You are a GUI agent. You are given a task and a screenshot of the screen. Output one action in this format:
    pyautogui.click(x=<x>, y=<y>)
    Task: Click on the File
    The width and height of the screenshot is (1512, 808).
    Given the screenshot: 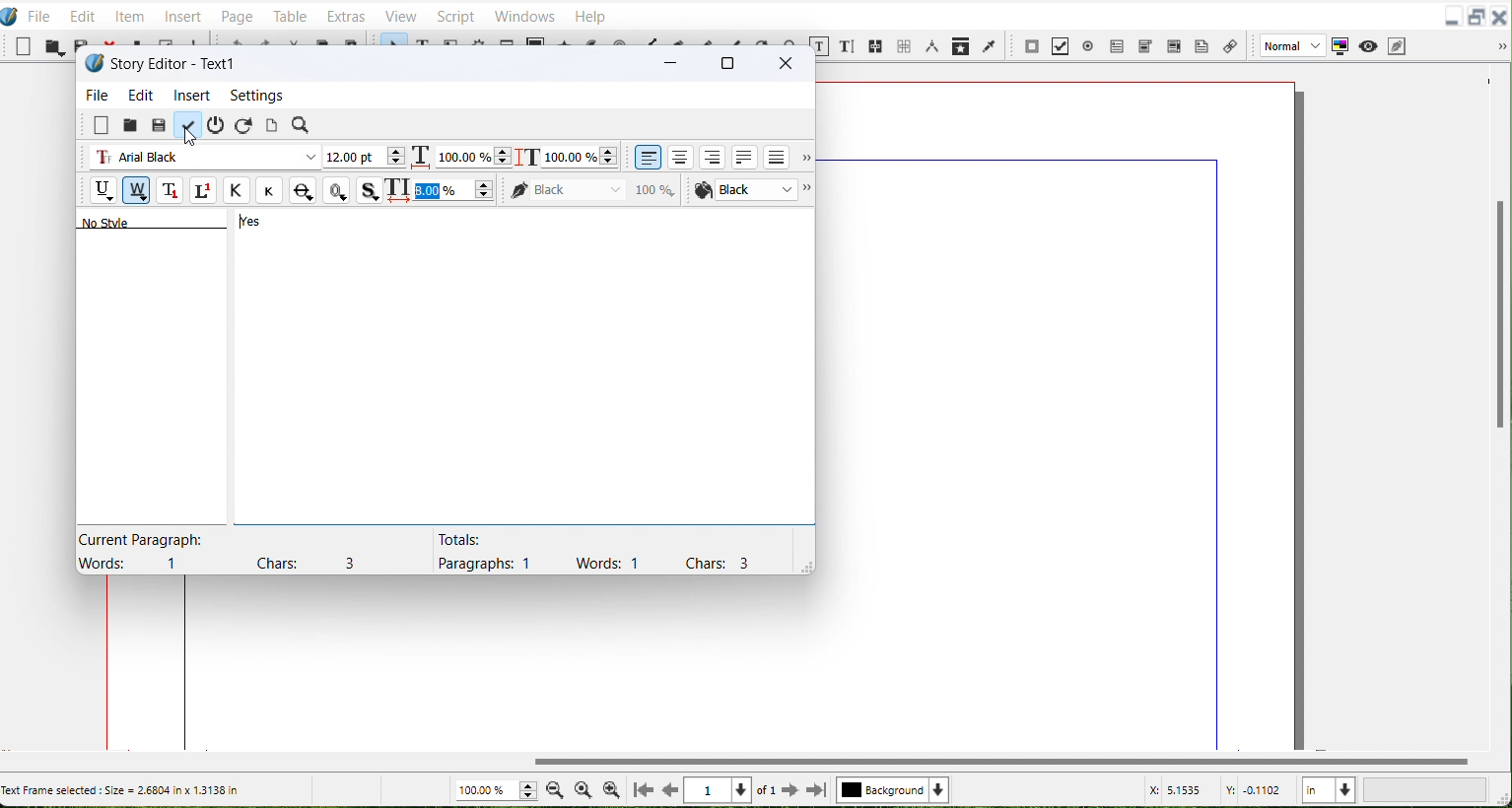 What is the action you would take?
    pyautogui.click(x=40, y=14)
    